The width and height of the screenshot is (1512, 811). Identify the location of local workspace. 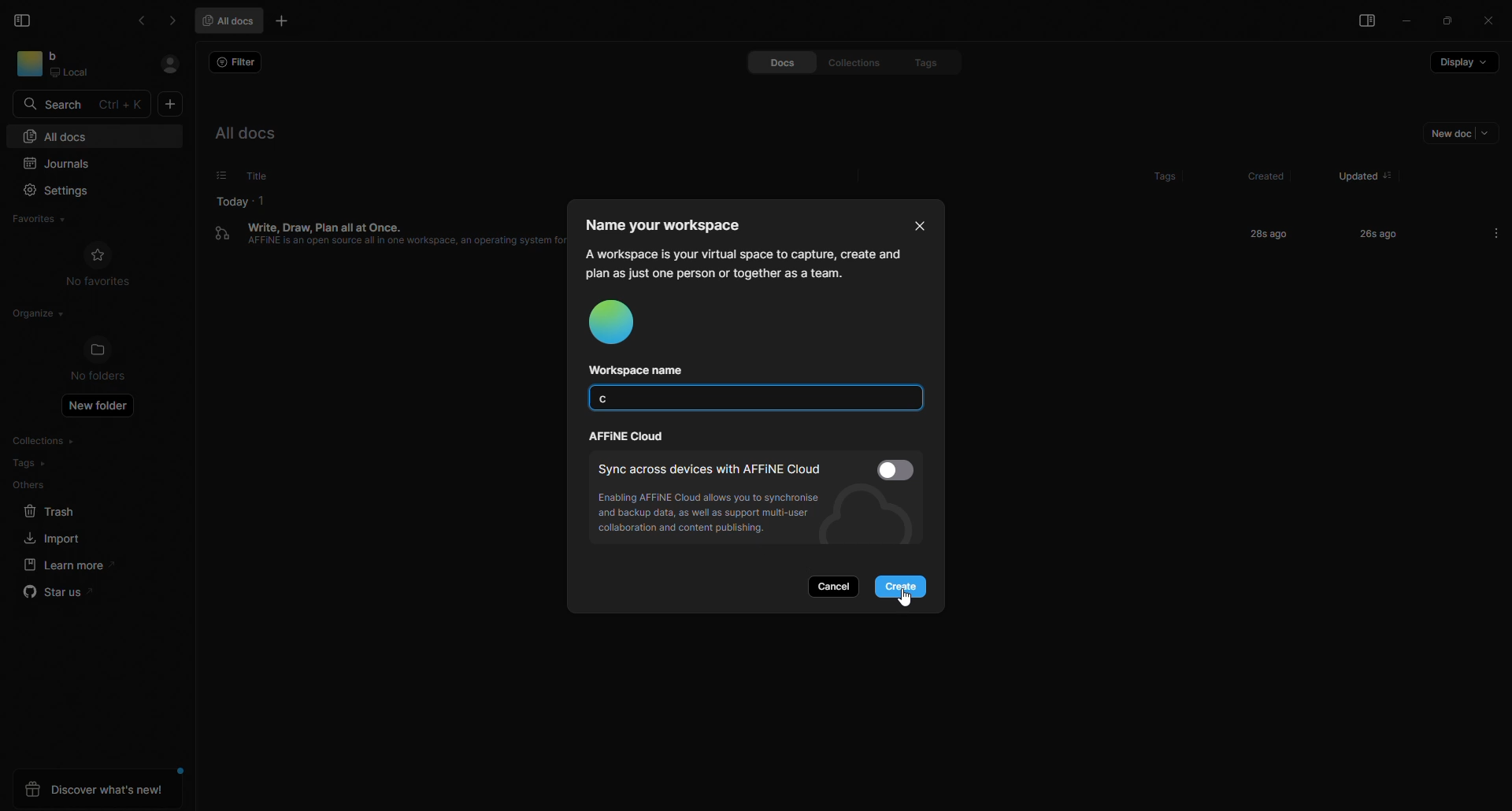
(76, 65).